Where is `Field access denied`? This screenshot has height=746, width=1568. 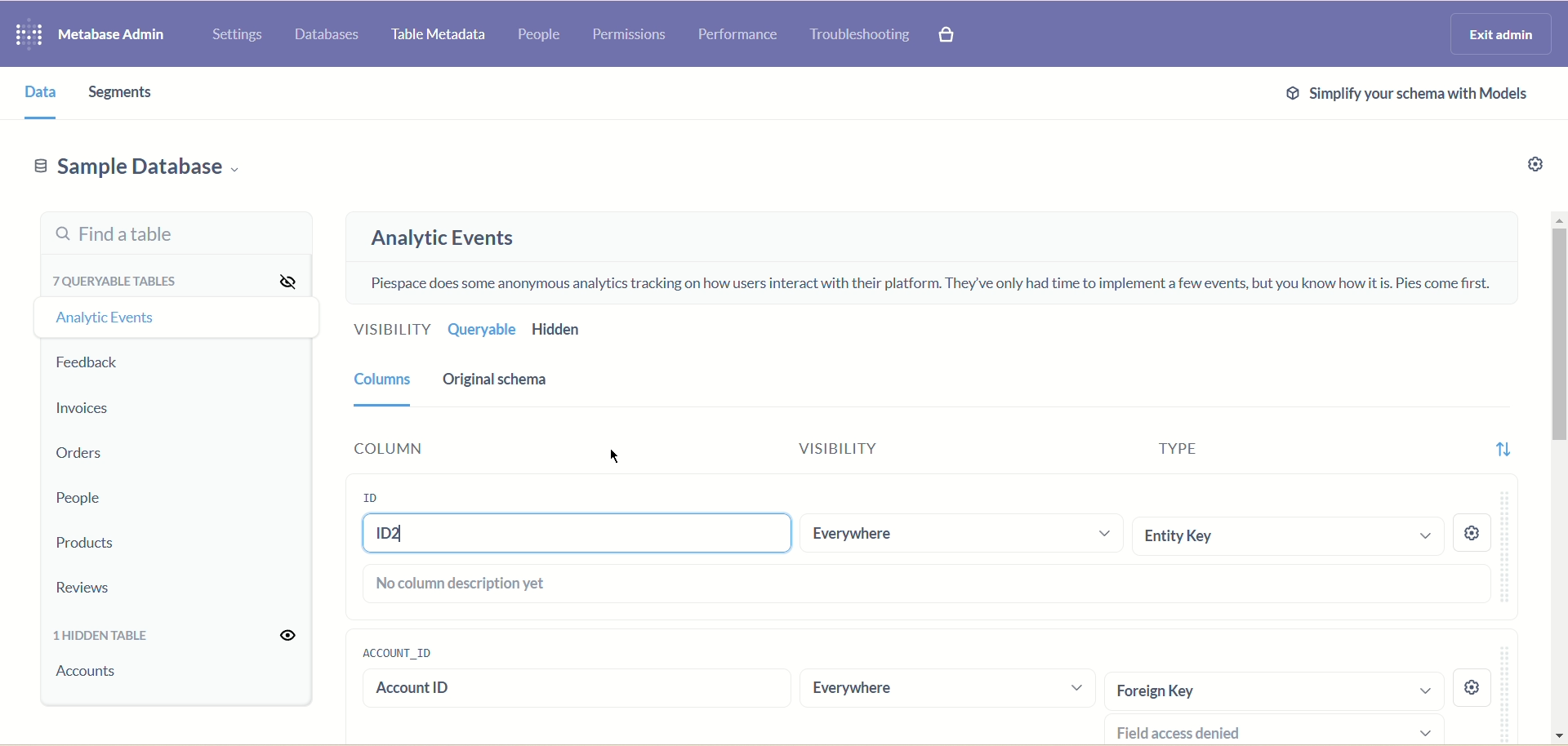
Field access denied is located at coordinates (1270, 732).